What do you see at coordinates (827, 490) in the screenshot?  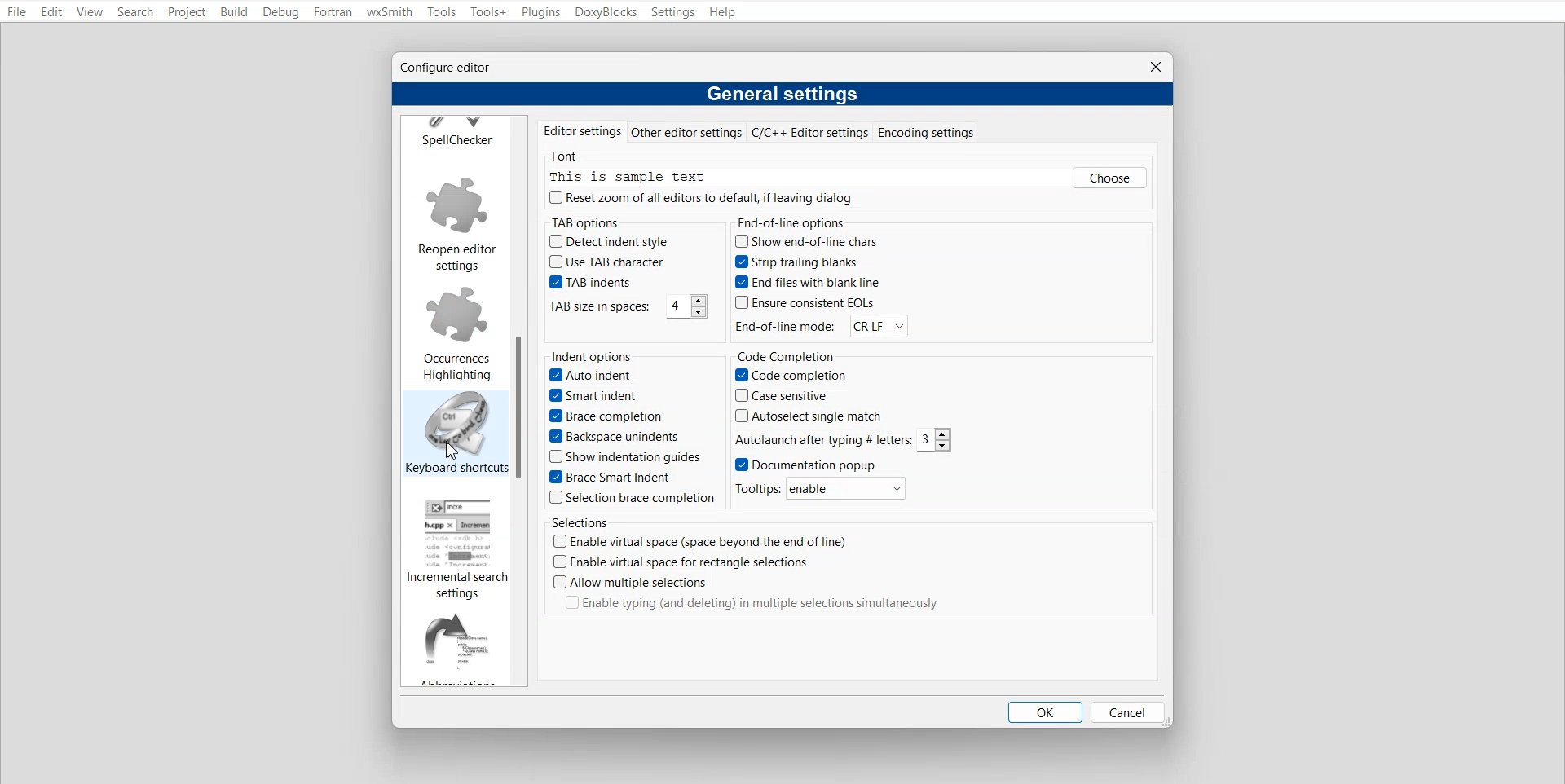 I see `Tooltips: enable ` at bounding box center [827, 490].